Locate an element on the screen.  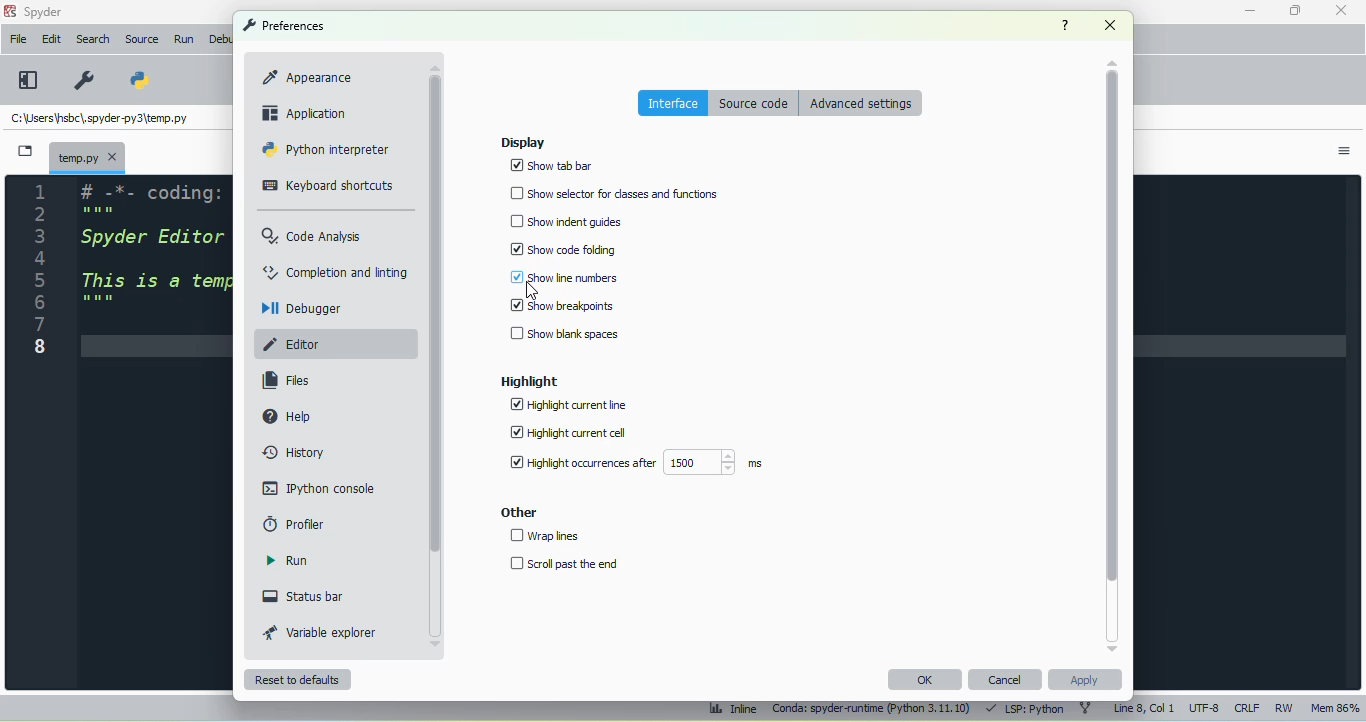
highlight is located at coordinates (529, 381).